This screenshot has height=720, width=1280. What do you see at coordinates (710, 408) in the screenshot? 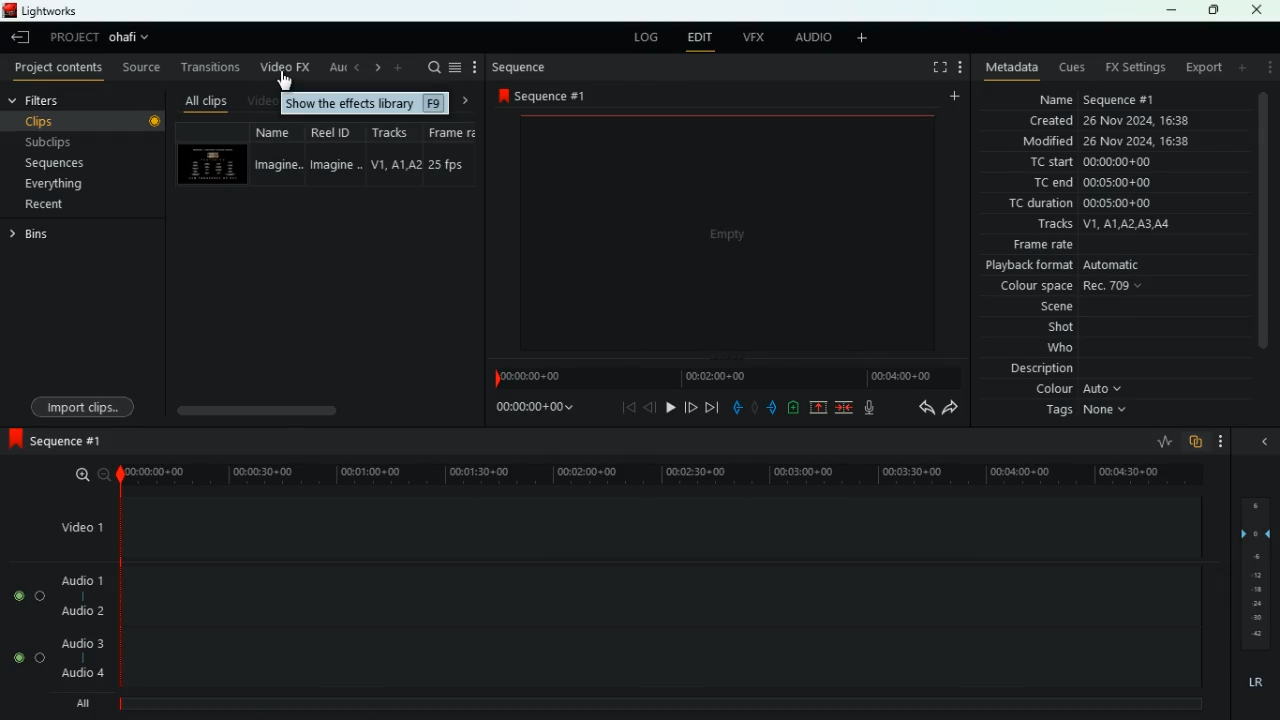
I see `end` at bounding box center [710, 408].